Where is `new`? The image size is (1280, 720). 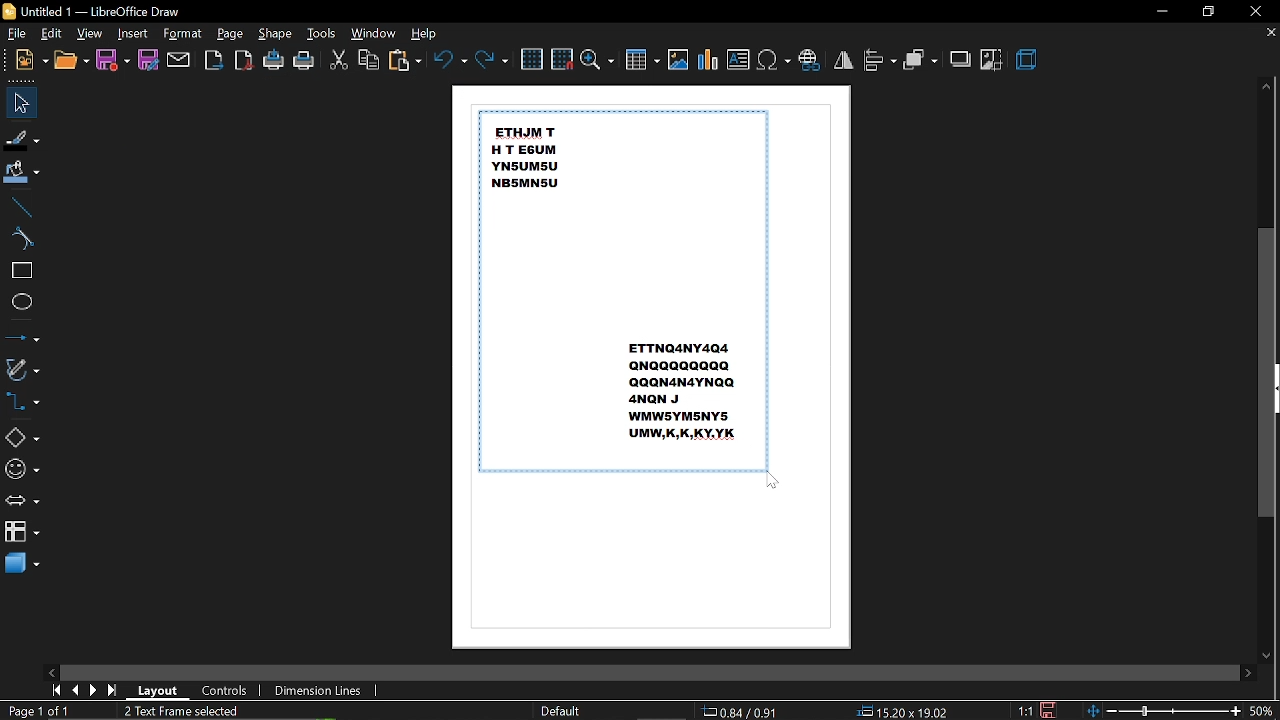 new is located at coordinates (32, 61).